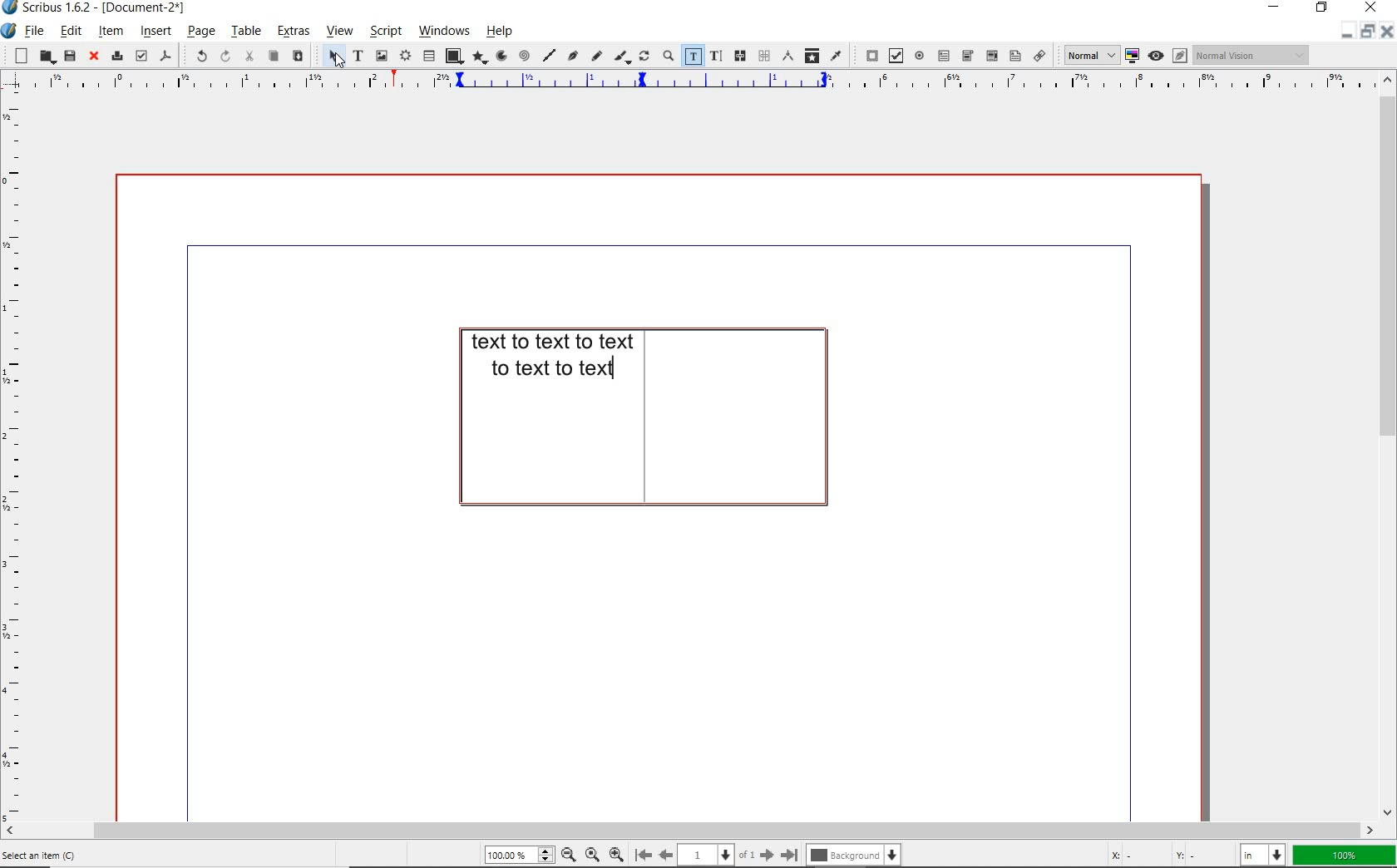 This screenshot has width=1397, height=868. Describe the element at coordinates (1343, 854) in the screenshot. I see `zoom factor` at that location.